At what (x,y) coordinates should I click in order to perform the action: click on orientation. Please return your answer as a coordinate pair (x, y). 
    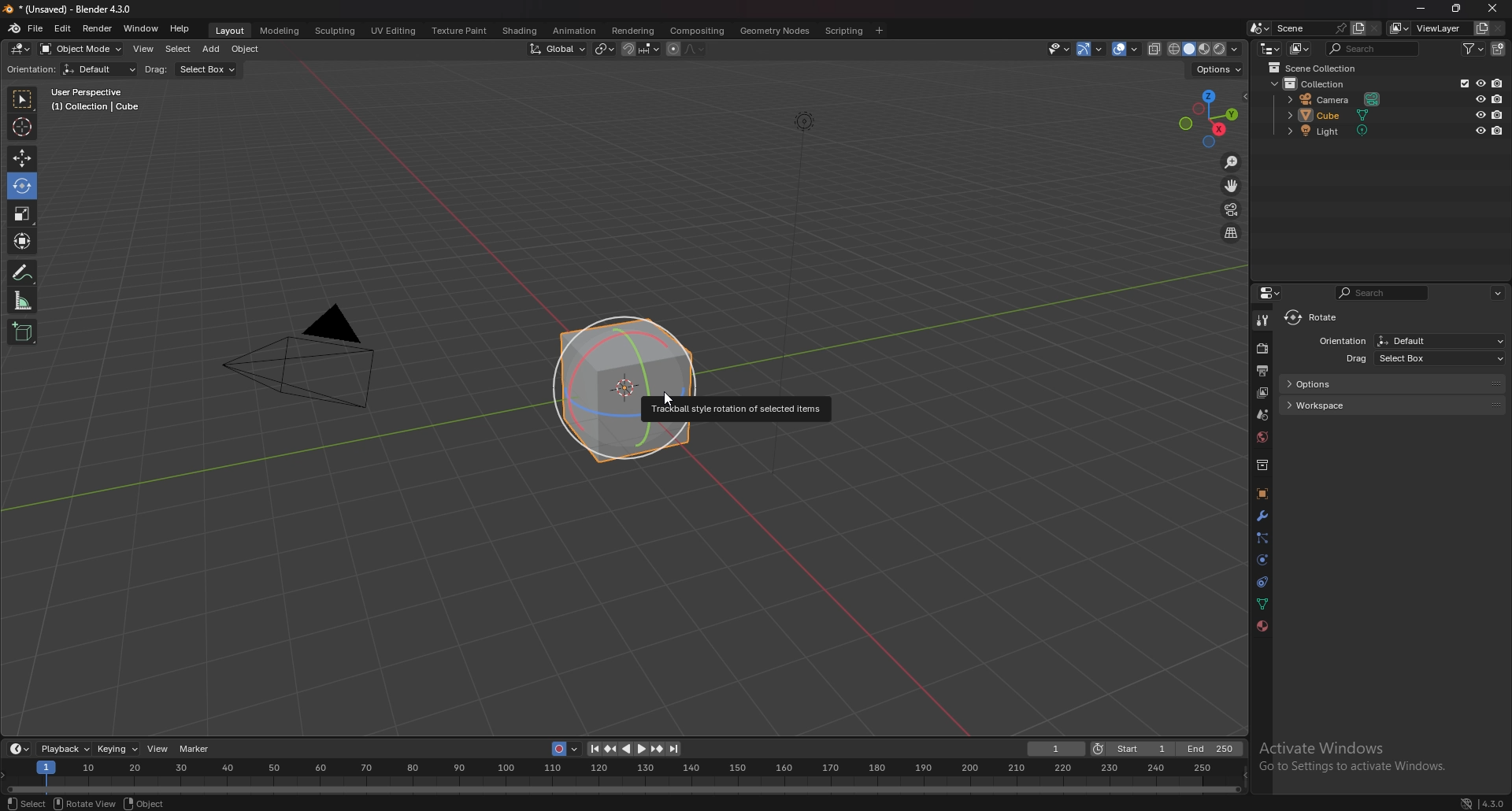
    Looking at the image, I should click on (30, 69).